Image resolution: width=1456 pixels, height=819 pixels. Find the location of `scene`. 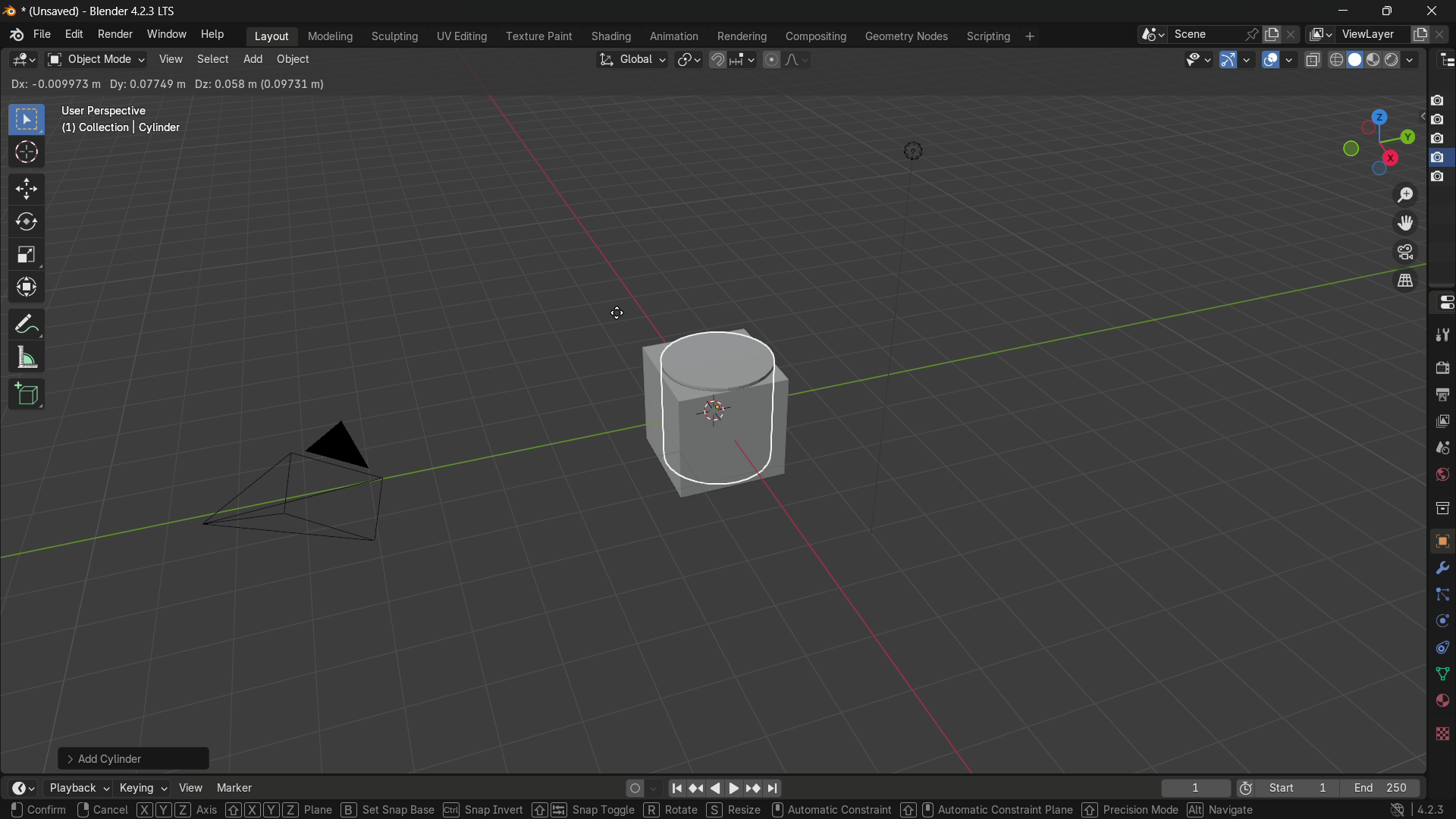

scene is located at coordinates (1441, 449).